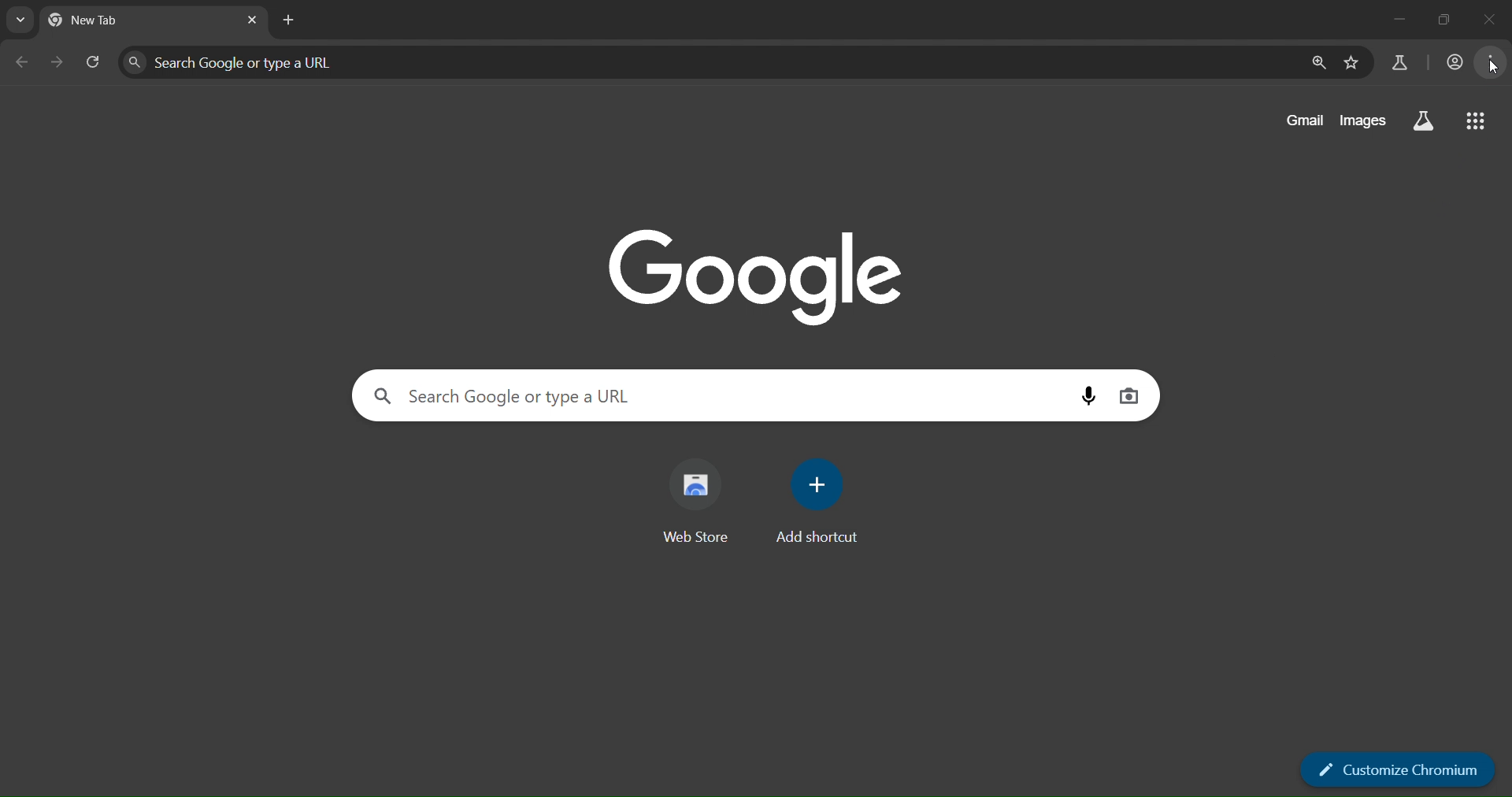  Describe the element at coordinates (821, 500) in the screenshot. I see `add shortcut` at that location.